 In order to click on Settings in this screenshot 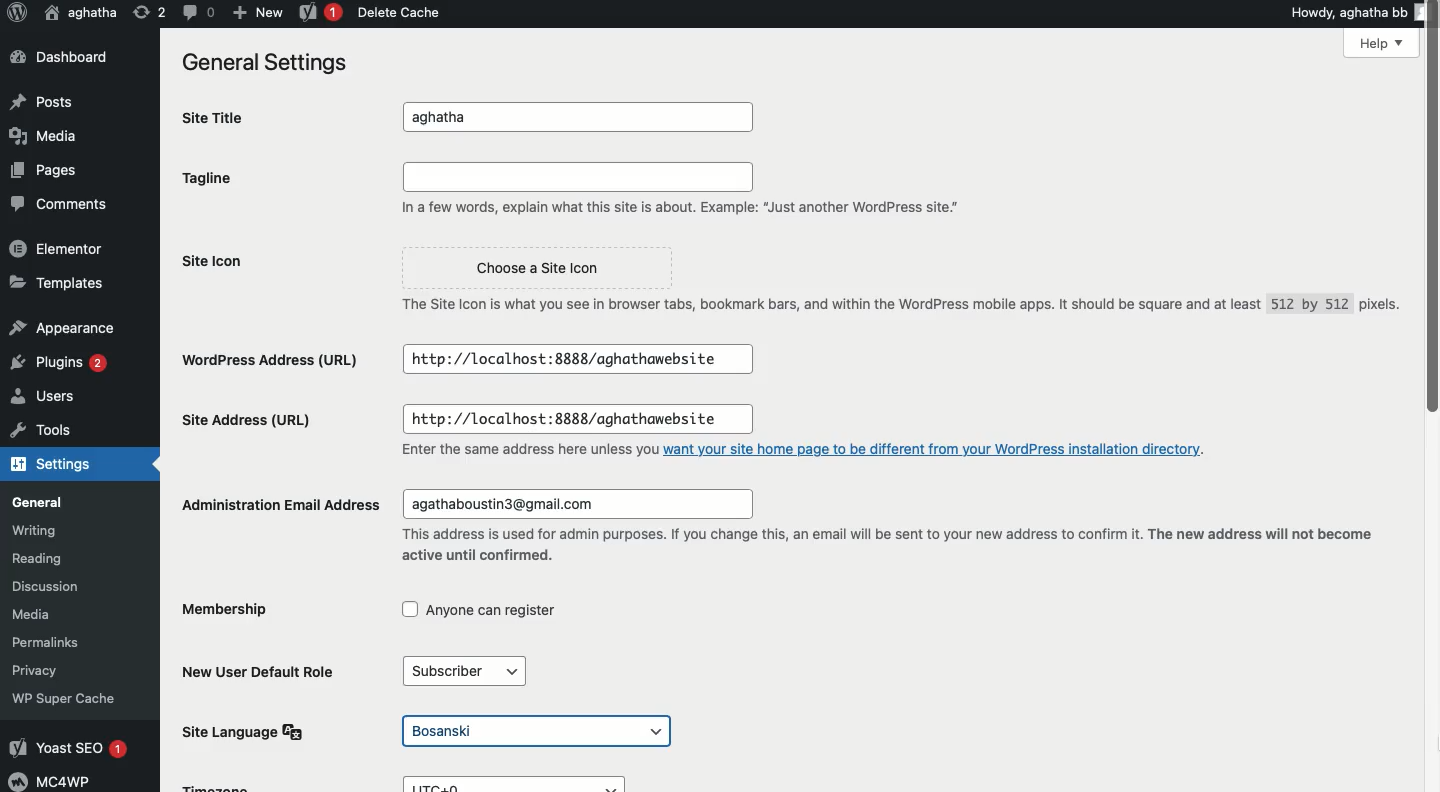, I will do `click(49, 466)`.